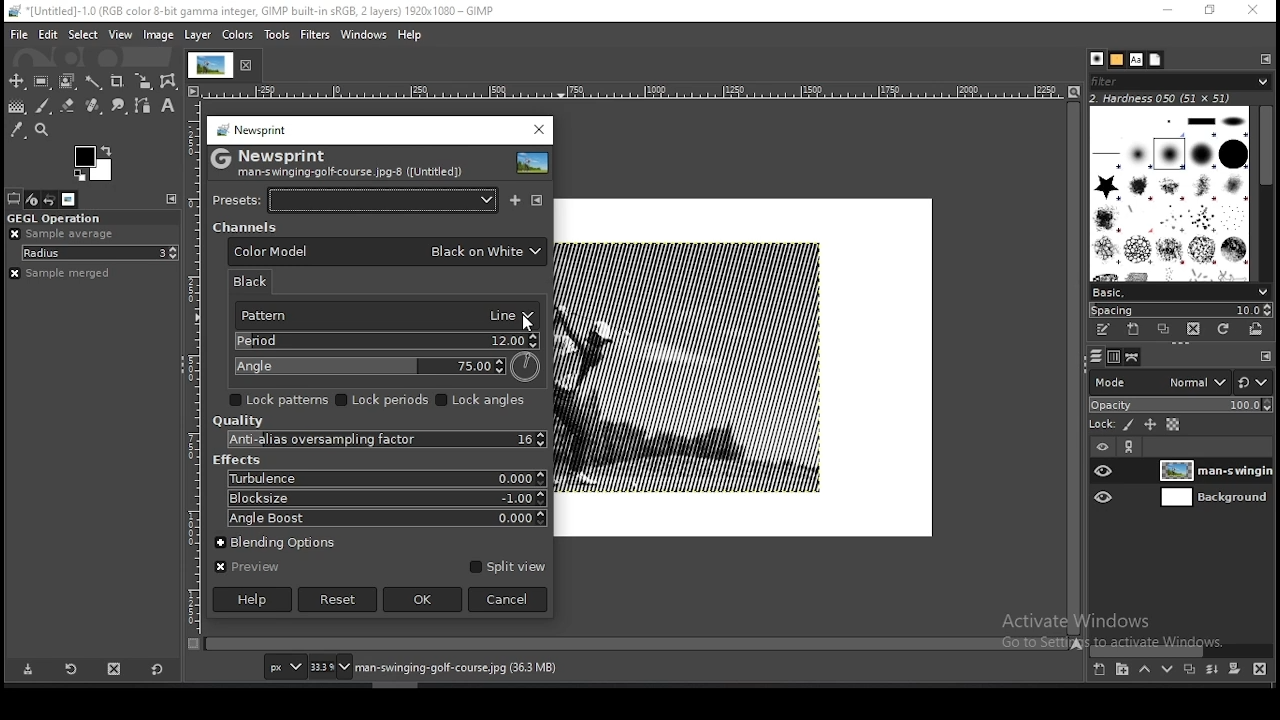  I want to click on black, so click(258, 281).